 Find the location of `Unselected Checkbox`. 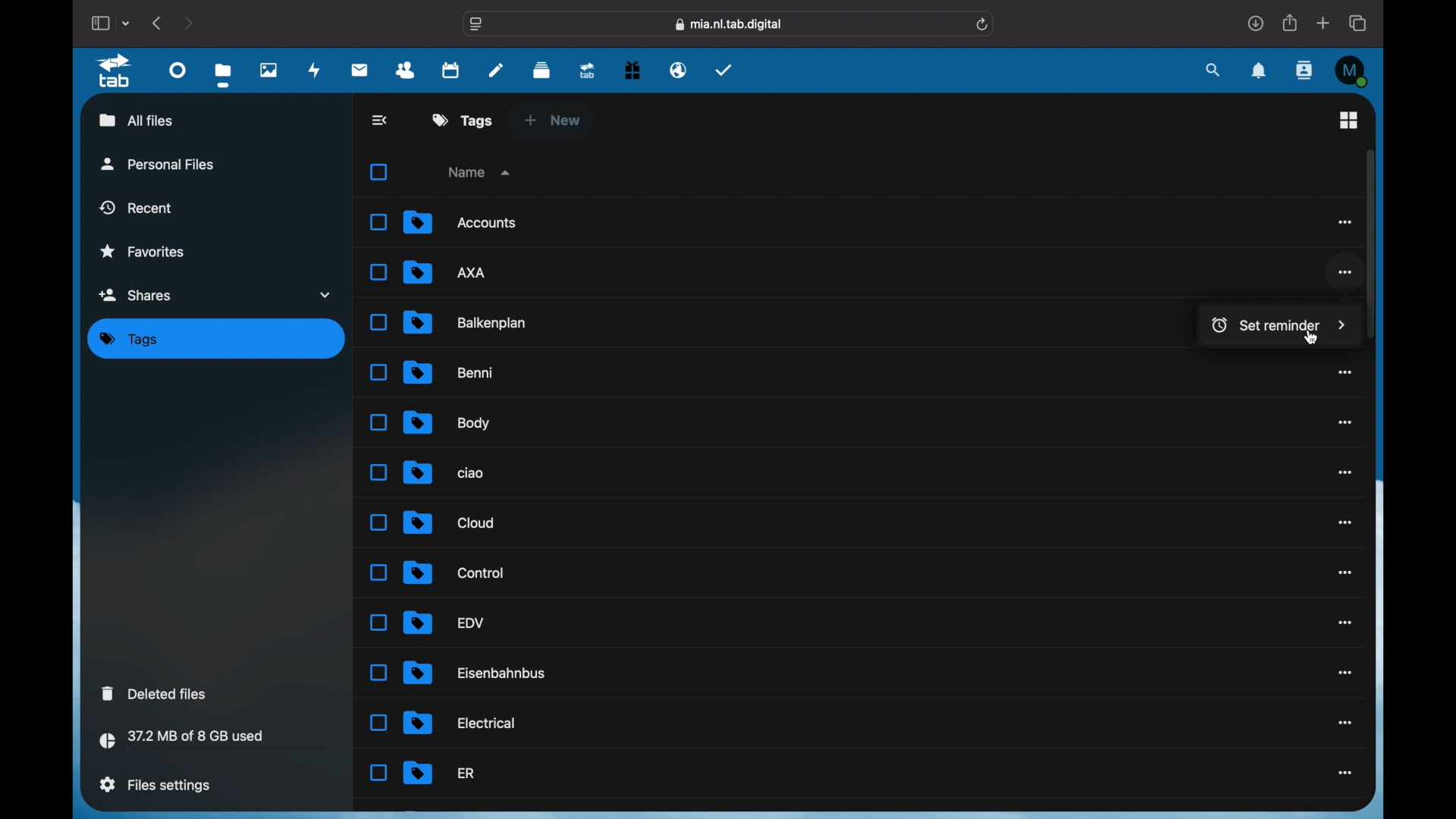

Unselected Checkbox is located at coordinates (378, 273).